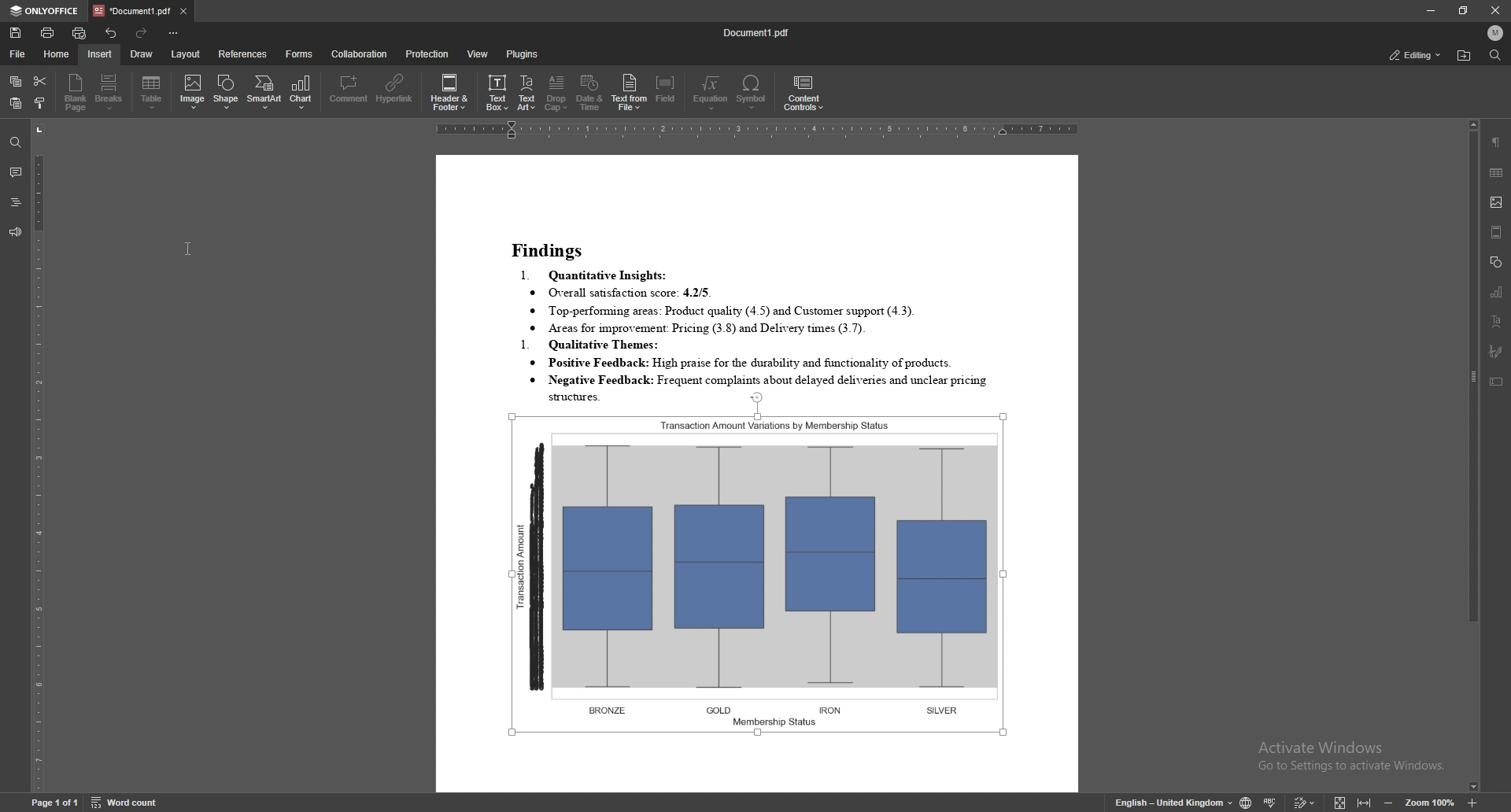  What do you see at coordinates (1494, 351) in the screenshot?
I see `signature field` at bounding box center [1494, 351].